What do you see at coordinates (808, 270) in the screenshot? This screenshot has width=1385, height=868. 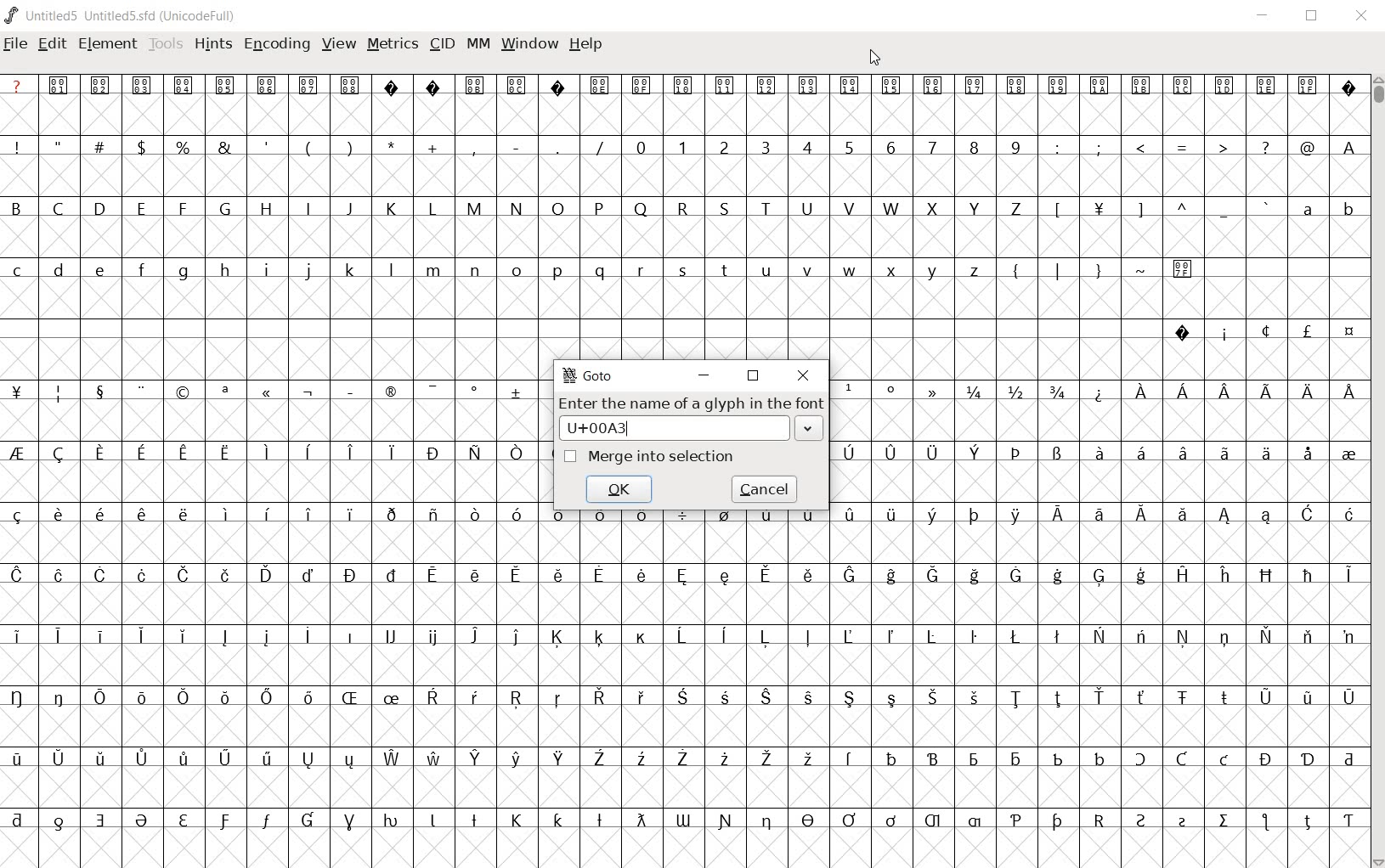 I see `v` at bounding box center [808, 270].